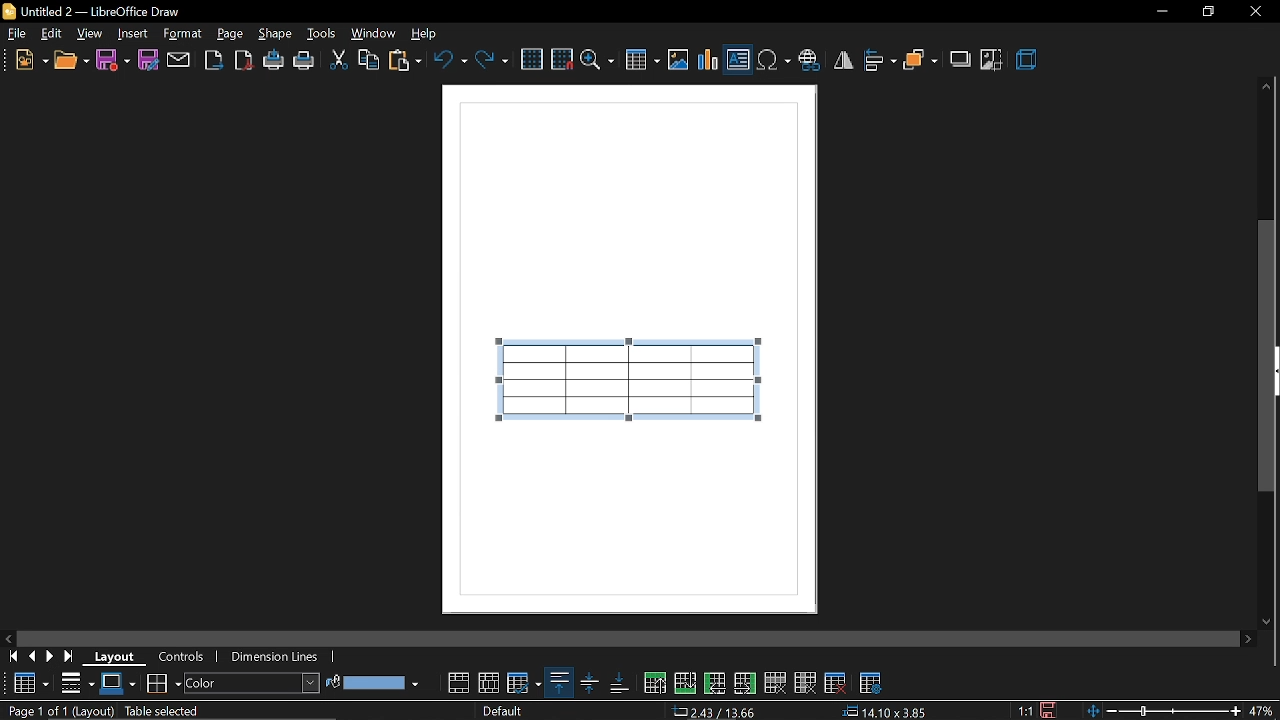 Image resolution: width=1280 pixels, height=720 pixels. Describe the element at coordinates (1162, 712) in the screenshot. I see `zoom change` at that location.